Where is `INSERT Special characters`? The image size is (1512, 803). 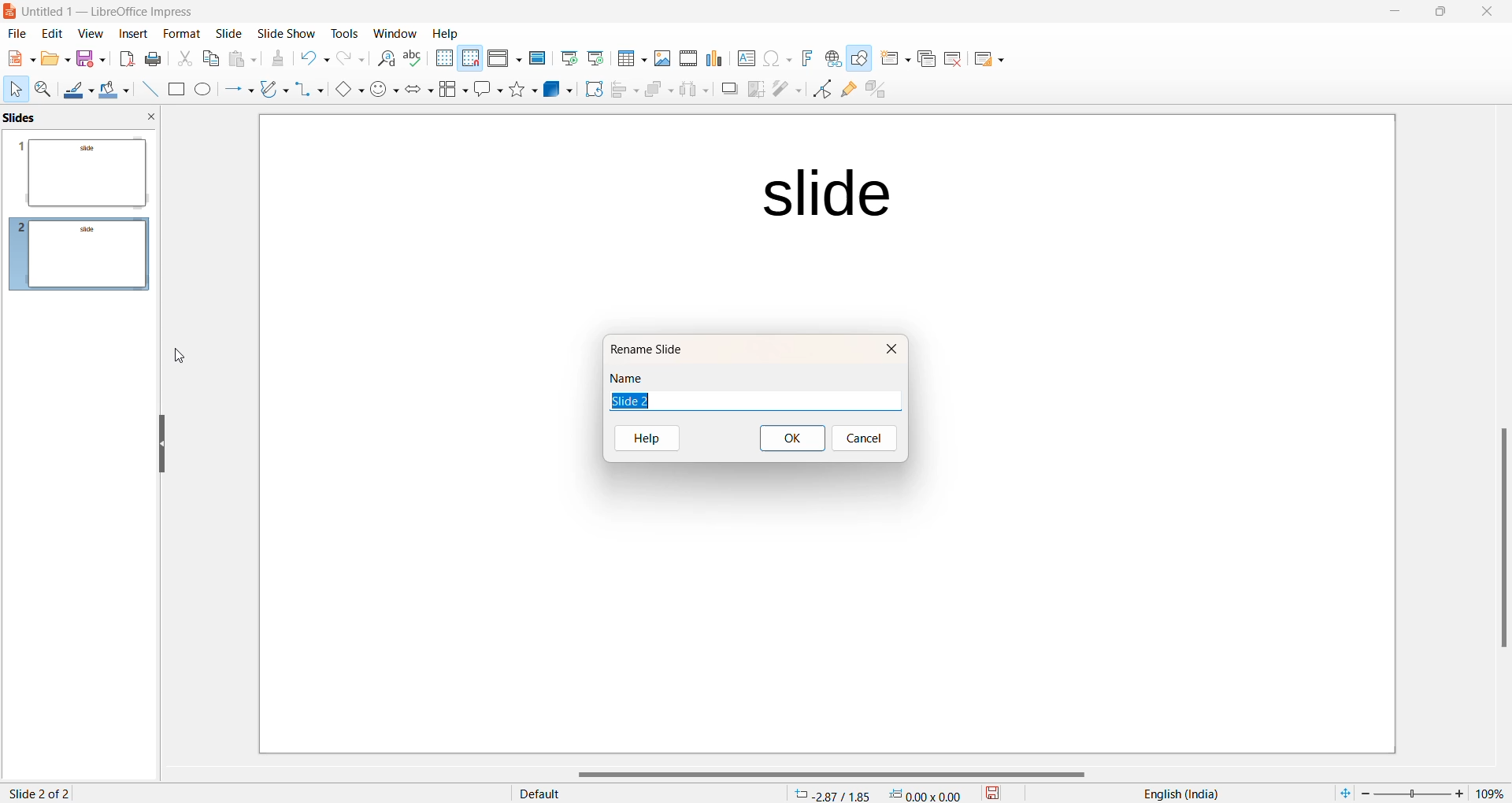 INSERT Special characters is located at coordinates (774, 58).